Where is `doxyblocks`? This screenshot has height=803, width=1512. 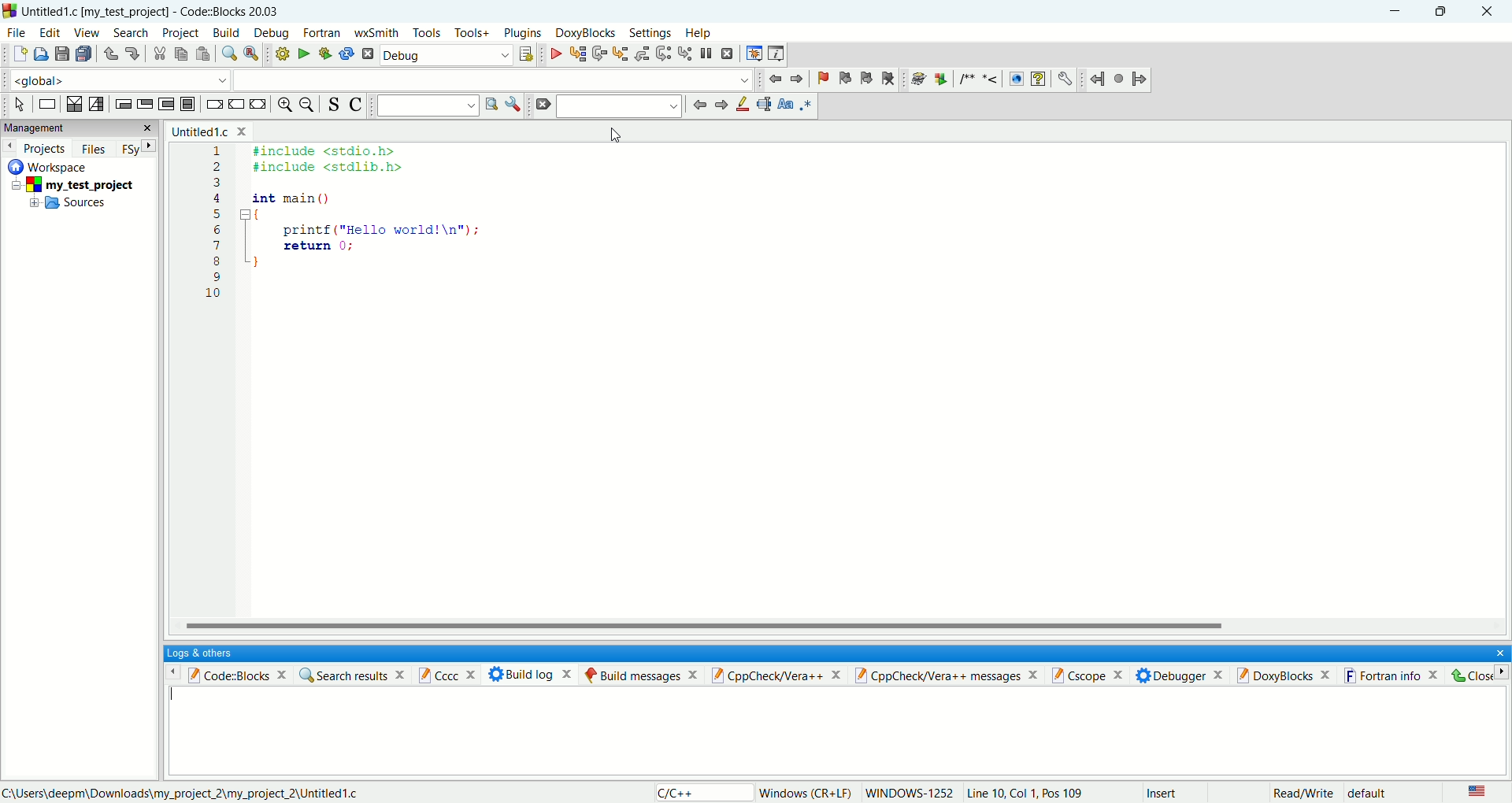 doxyblocks is located at coordinates (586, 33).